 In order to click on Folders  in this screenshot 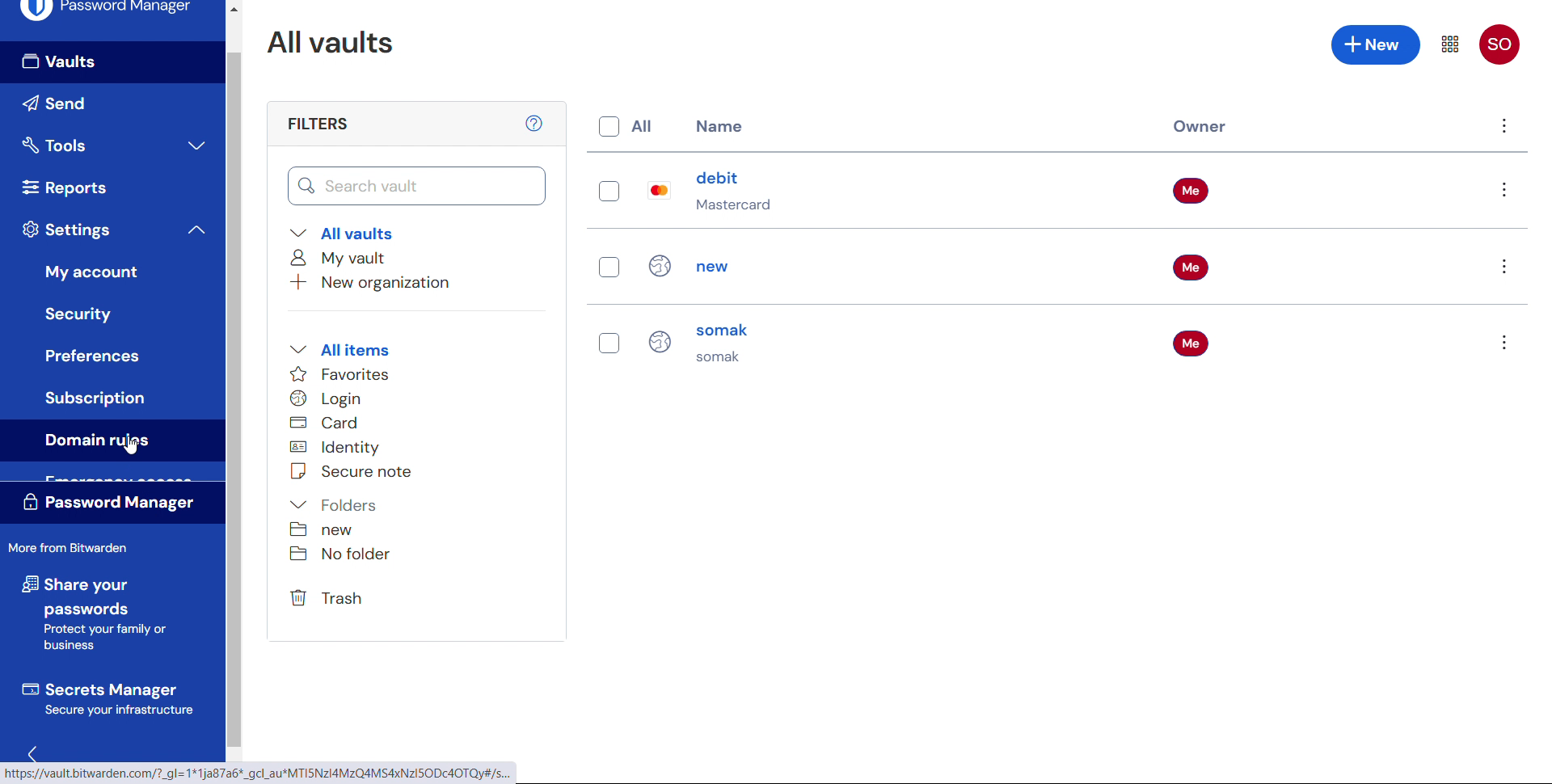, I will do `click(334, 505)`.